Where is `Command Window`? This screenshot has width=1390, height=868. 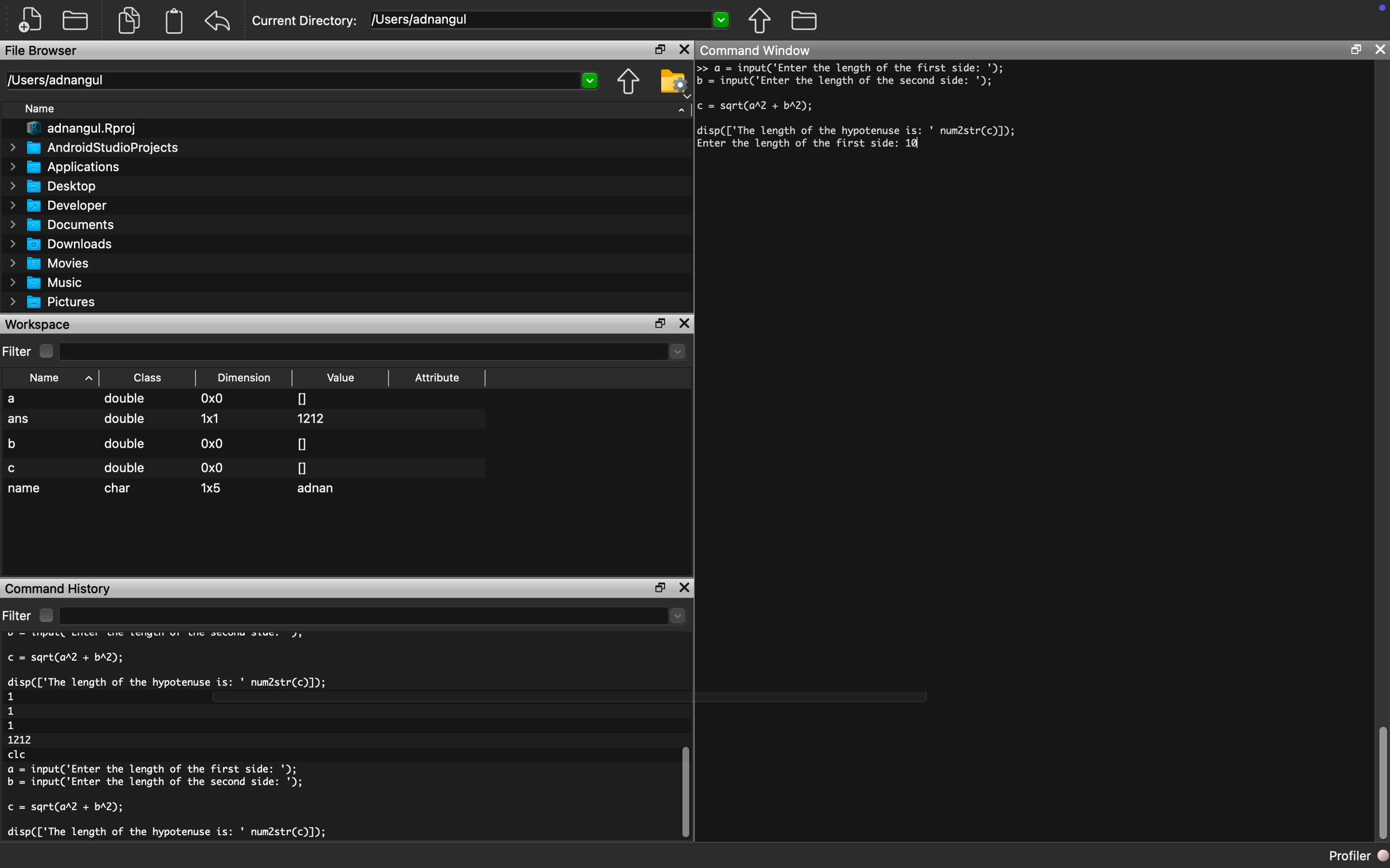
Command Window is located at coordinates (756, 49).